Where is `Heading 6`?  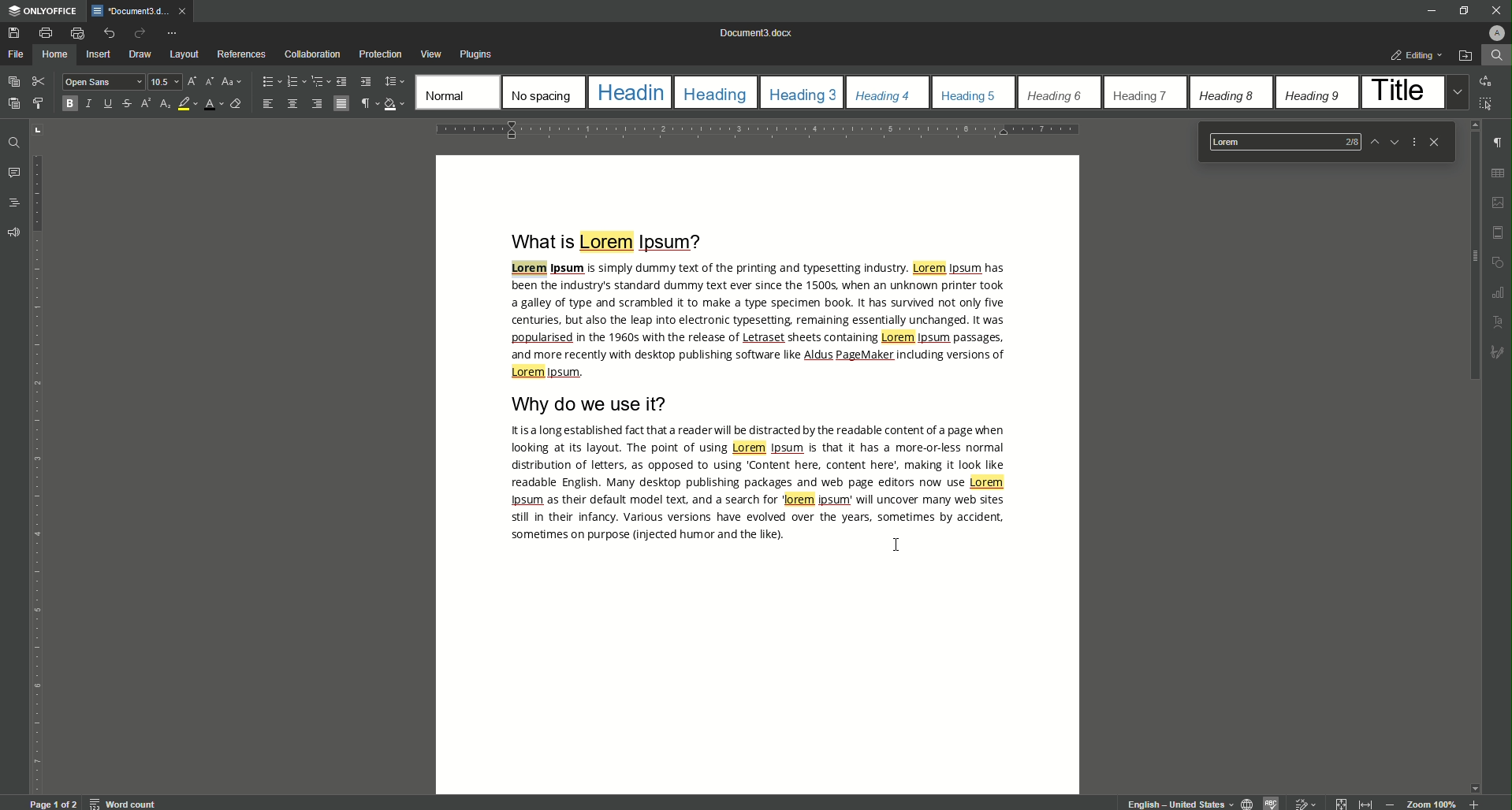
Heading 6 is located at coordinates (1055, 95).